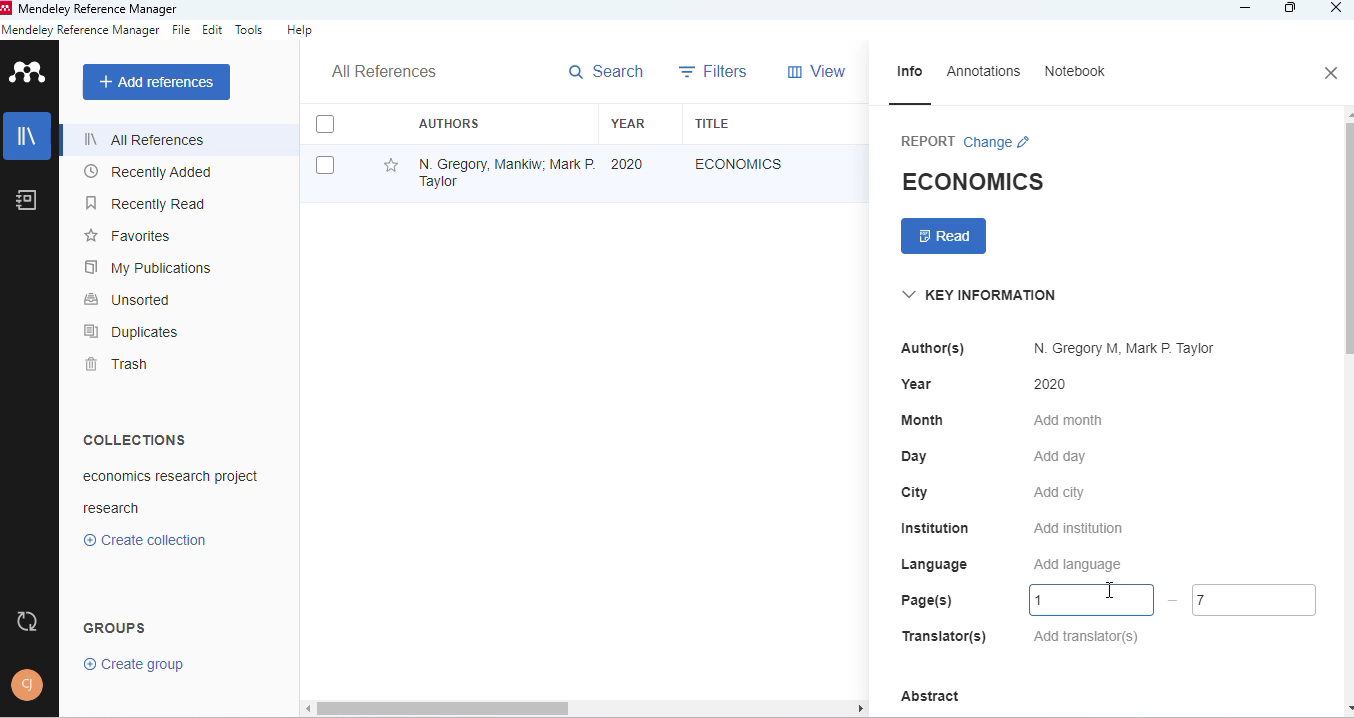 Image resolution: width=1354 pixels, height=718 pixels. Describe the element at coordinates (1050, 384) in the screenshot. I see `2020` at that location.